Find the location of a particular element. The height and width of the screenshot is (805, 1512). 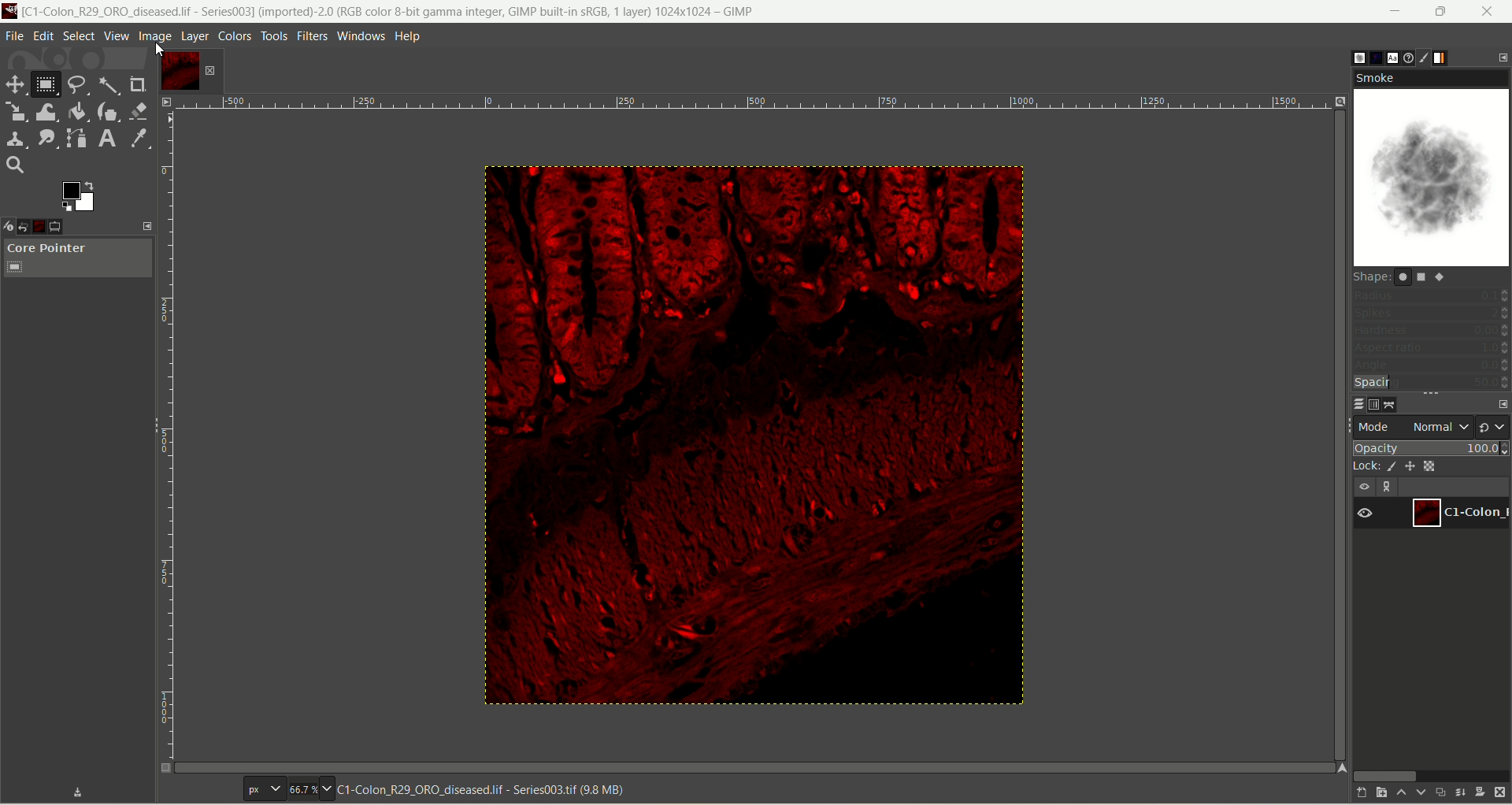

lower this layer one step is located at coordinates (1421, 794).